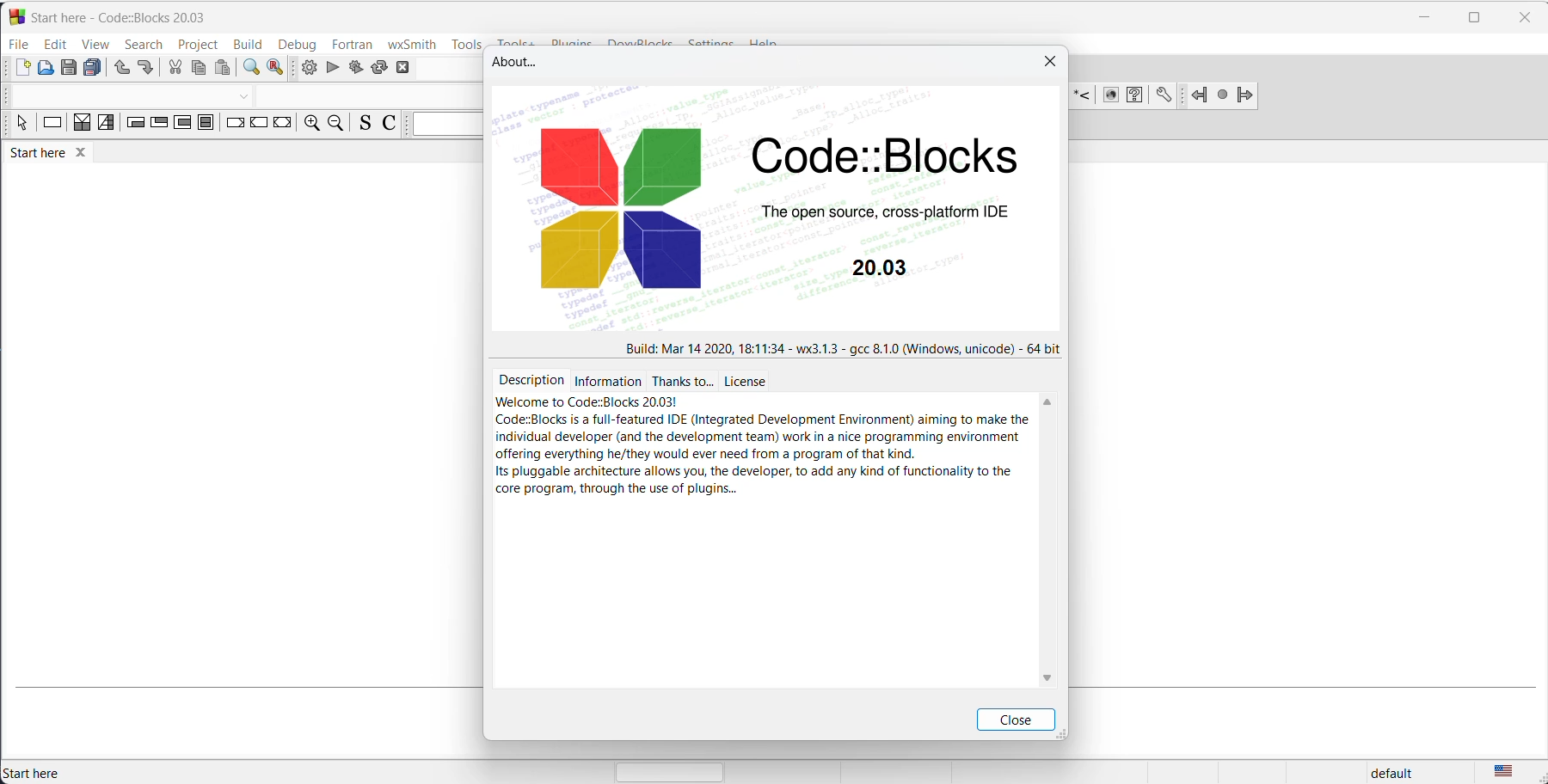 The width and height of the screenshot is (1548, 784). What do you see at coordinates (56, 44) in the screenshot?
I see `edit` at bounding box center [56, 44].